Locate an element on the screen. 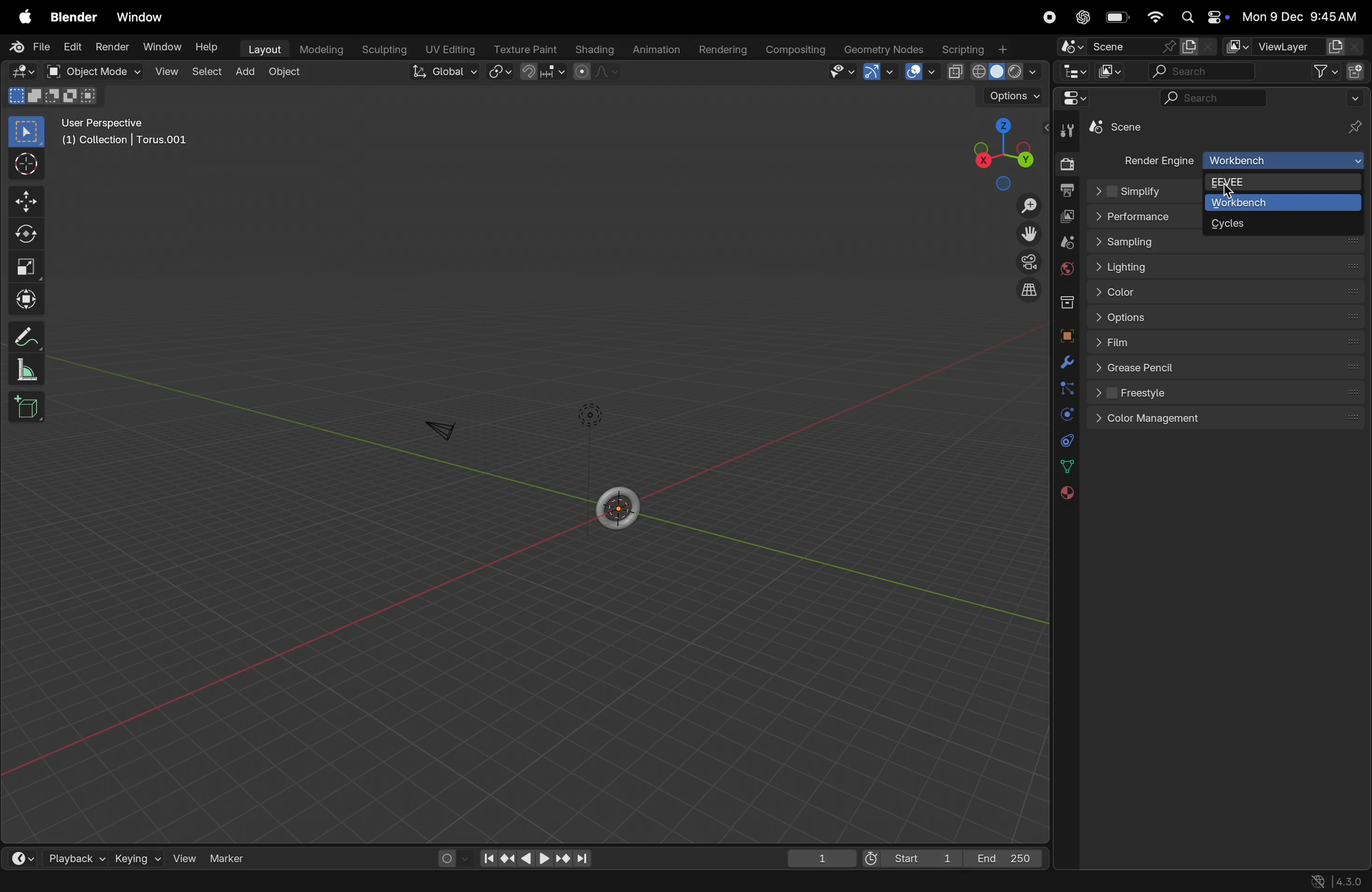 This screenshot has width=1372, height=892. View is located at coordinates (188, 857).